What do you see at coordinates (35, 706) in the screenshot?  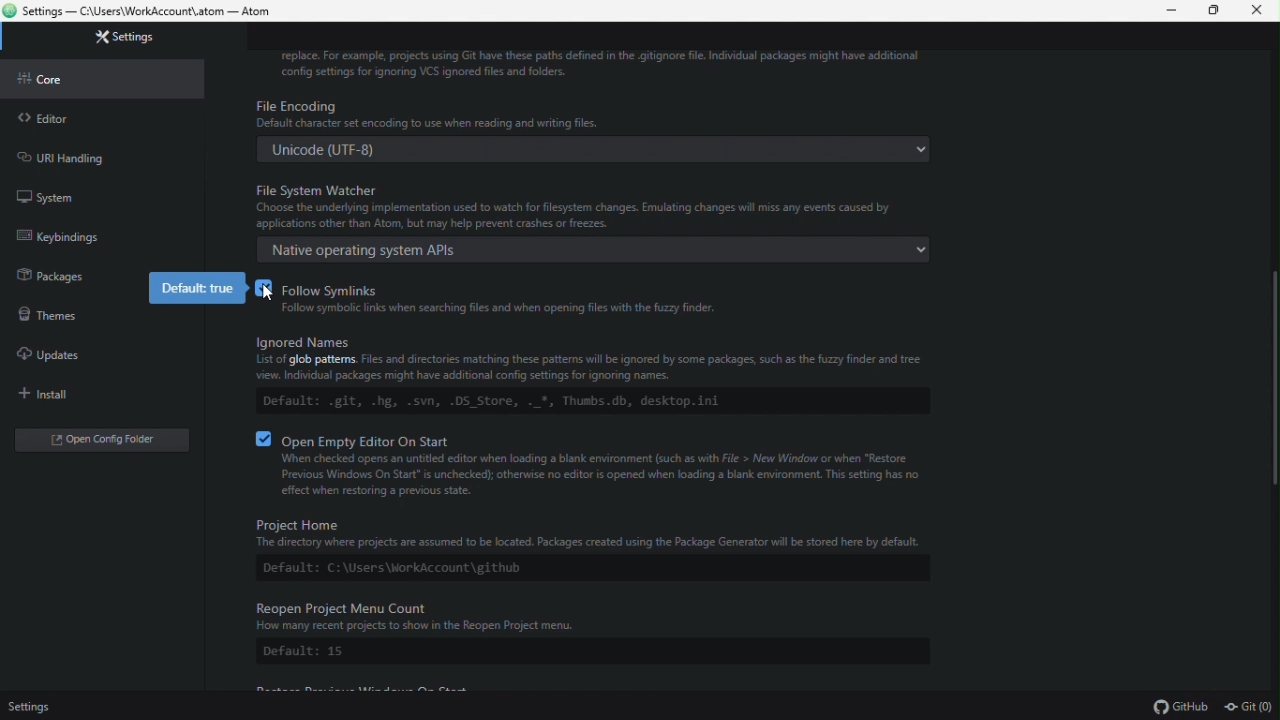 I see `Settings` at bounding box center [35, 706].